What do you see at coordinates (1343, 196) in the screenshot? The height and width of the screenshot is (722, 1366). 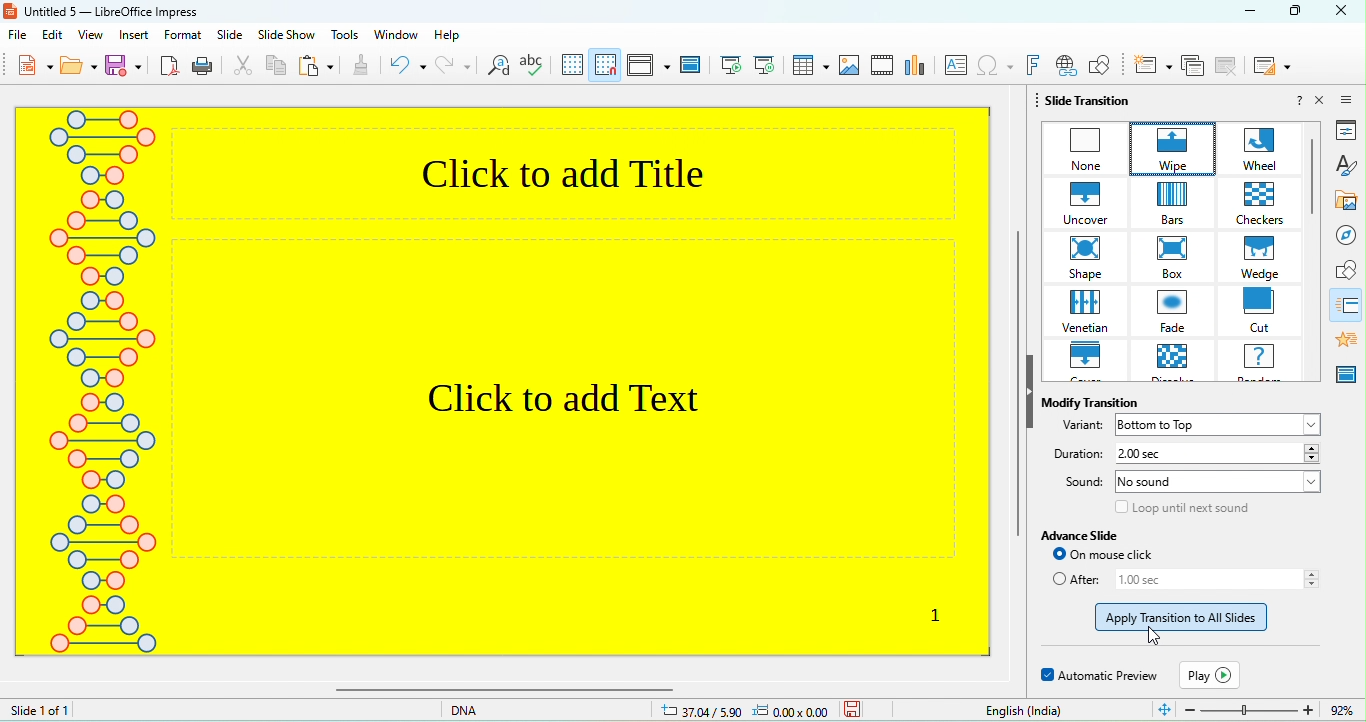 I see `gallery` at bounding box center [1343, 196].